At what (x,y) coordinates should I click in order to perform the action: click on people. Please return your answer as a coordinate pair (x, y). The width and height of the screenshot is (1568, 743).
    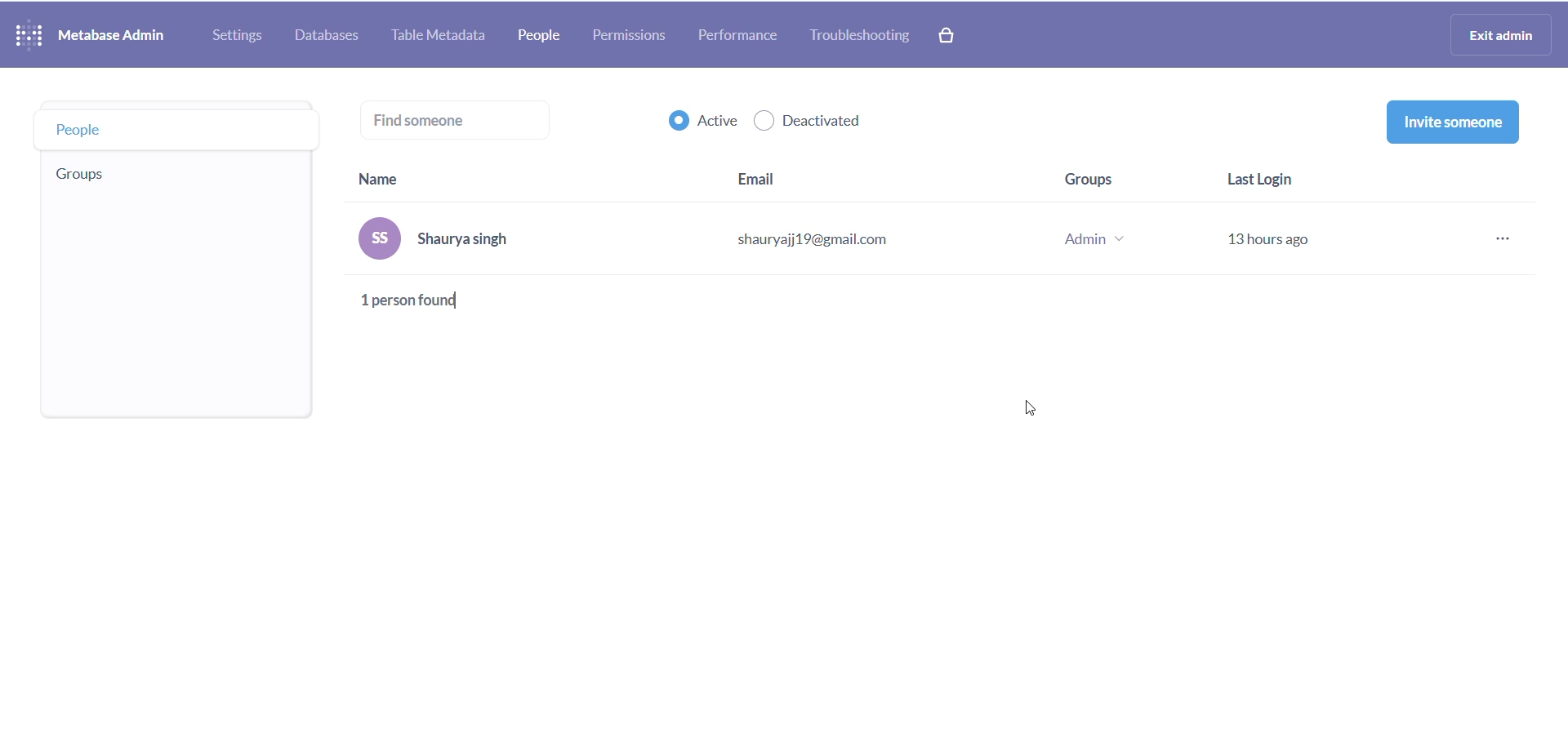
    Looking at the image, I should click on (150, 135).